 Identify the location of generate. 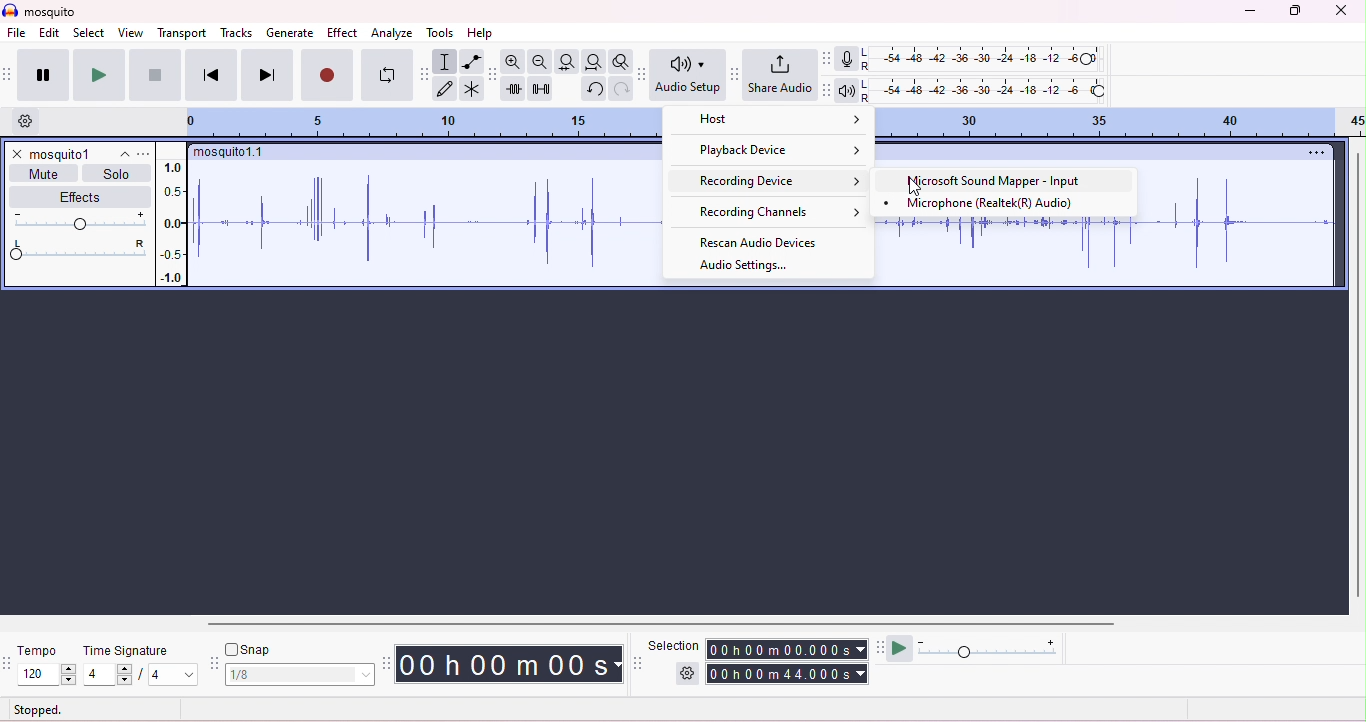
(291, 34).